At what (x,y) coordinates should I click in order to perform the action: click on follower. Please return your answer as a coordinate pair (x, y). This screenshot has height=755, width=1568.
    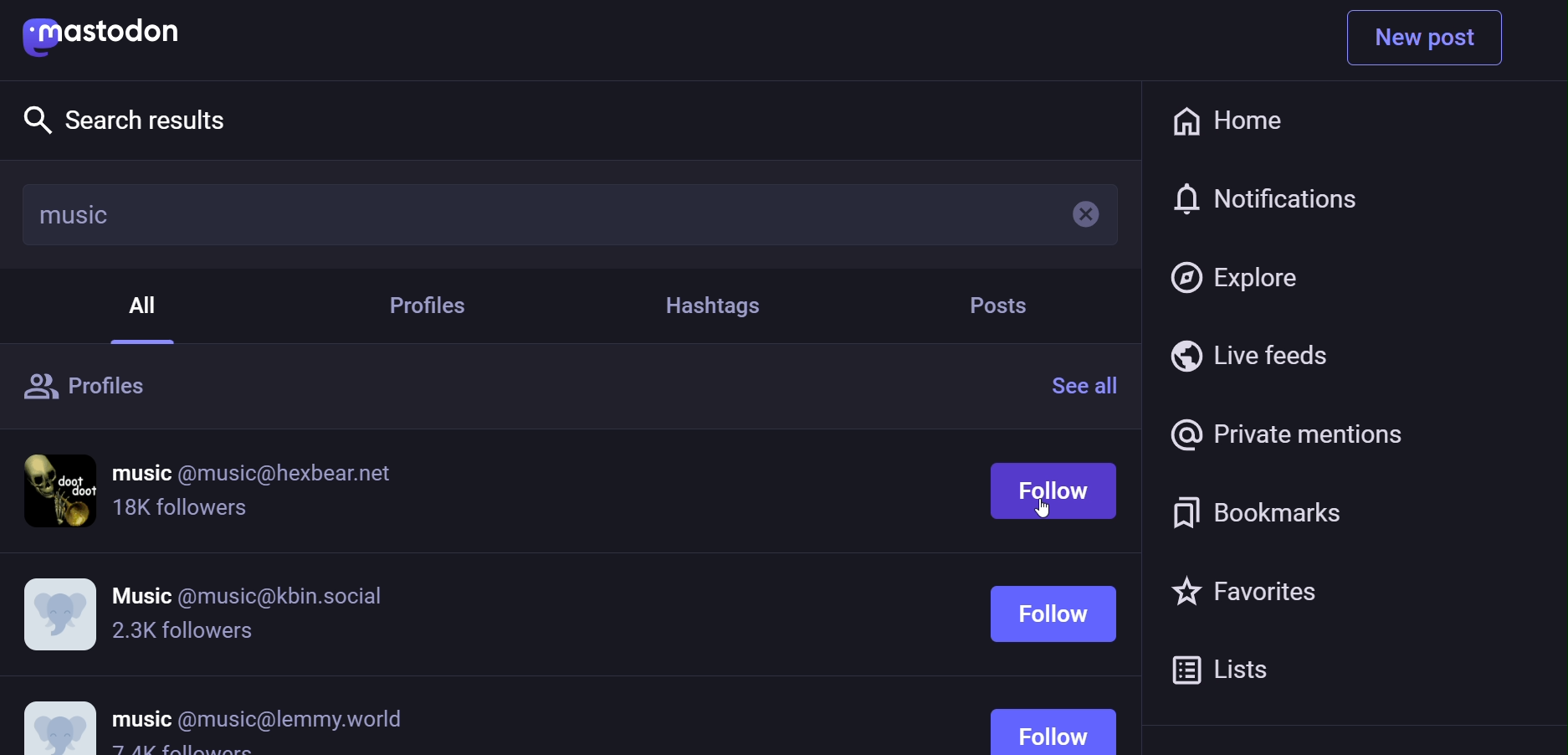
    Looking at the image, I should click on (184, 751).